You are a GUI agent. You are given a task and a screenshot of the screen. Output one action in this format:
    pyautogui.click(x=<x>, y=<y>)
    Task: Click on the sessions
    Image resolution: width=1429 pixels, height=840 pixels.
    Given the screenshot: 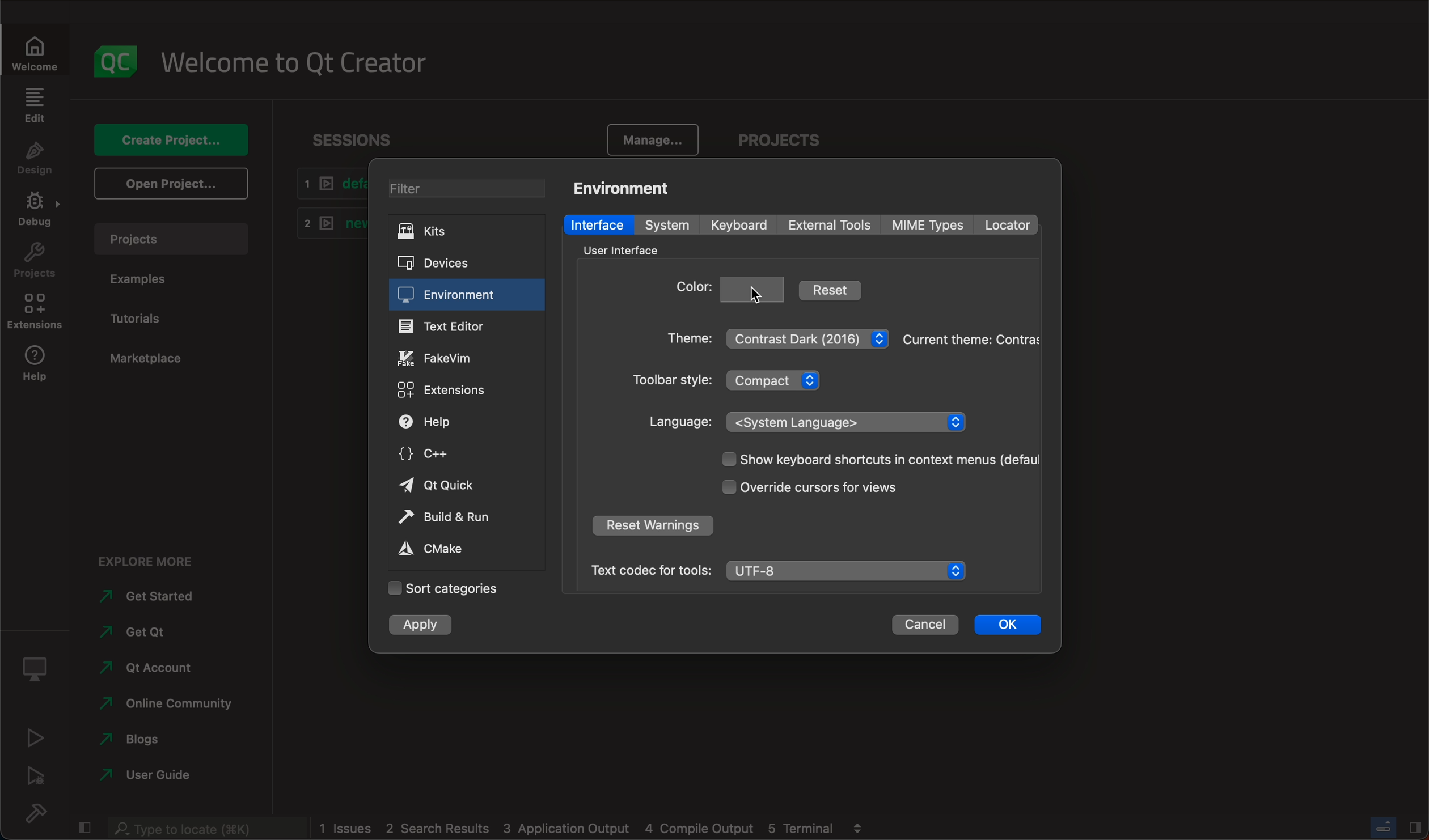 What is the action you would take?
    pyautogui.click(x=352, y=134)
    